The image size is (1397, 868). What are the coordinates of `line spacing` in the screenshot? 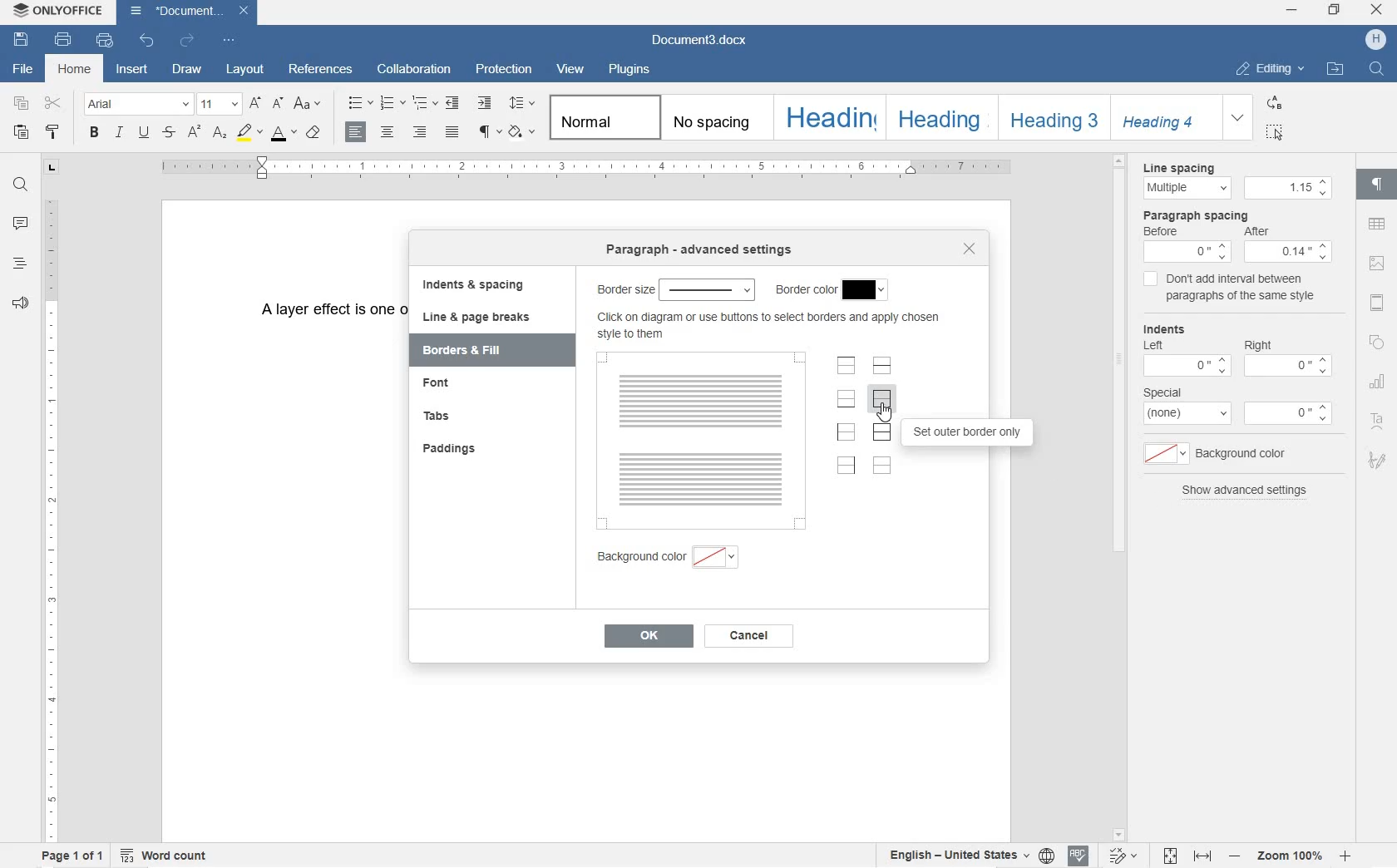 It's located at (1183, 180).